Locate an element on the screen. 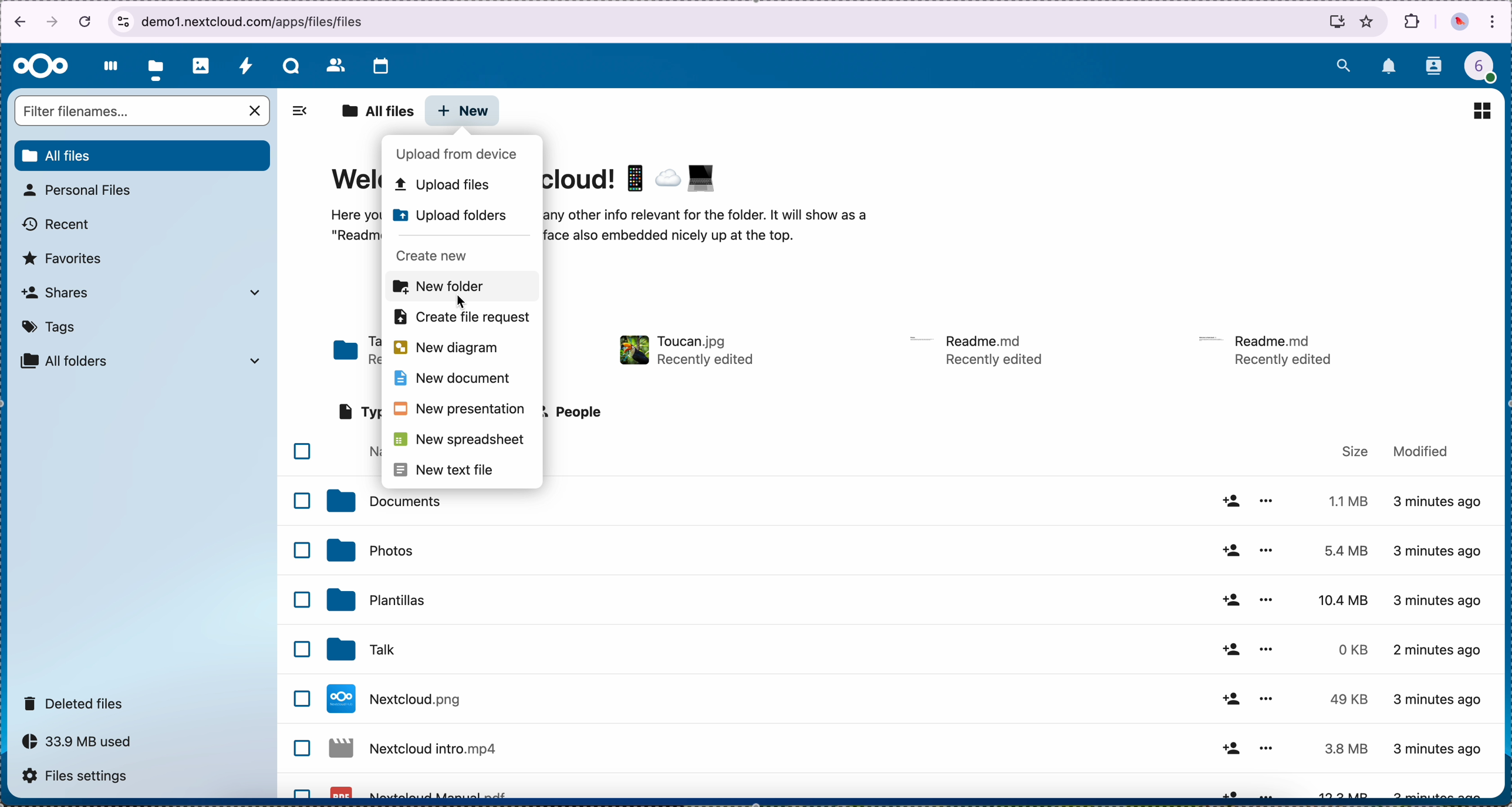 The height and width of the screenshot is (807, 1512). upload folders is located at coordinates (454, 217).